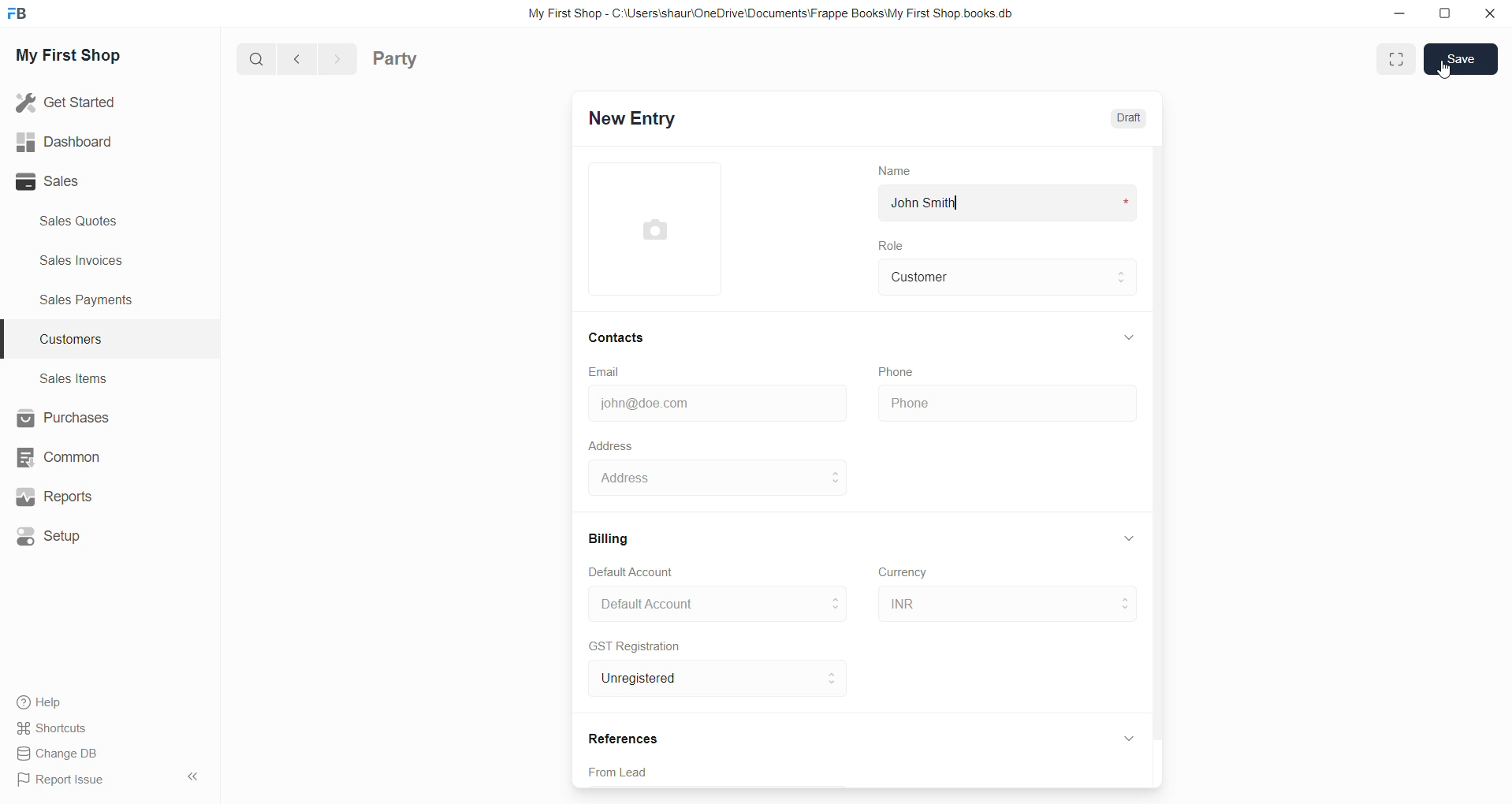 This screenshot has width=1512, height=804. What do you see at coordinates (868, 773) in the screenshot?
I see `select reference source` at bounding box center [868, 773].